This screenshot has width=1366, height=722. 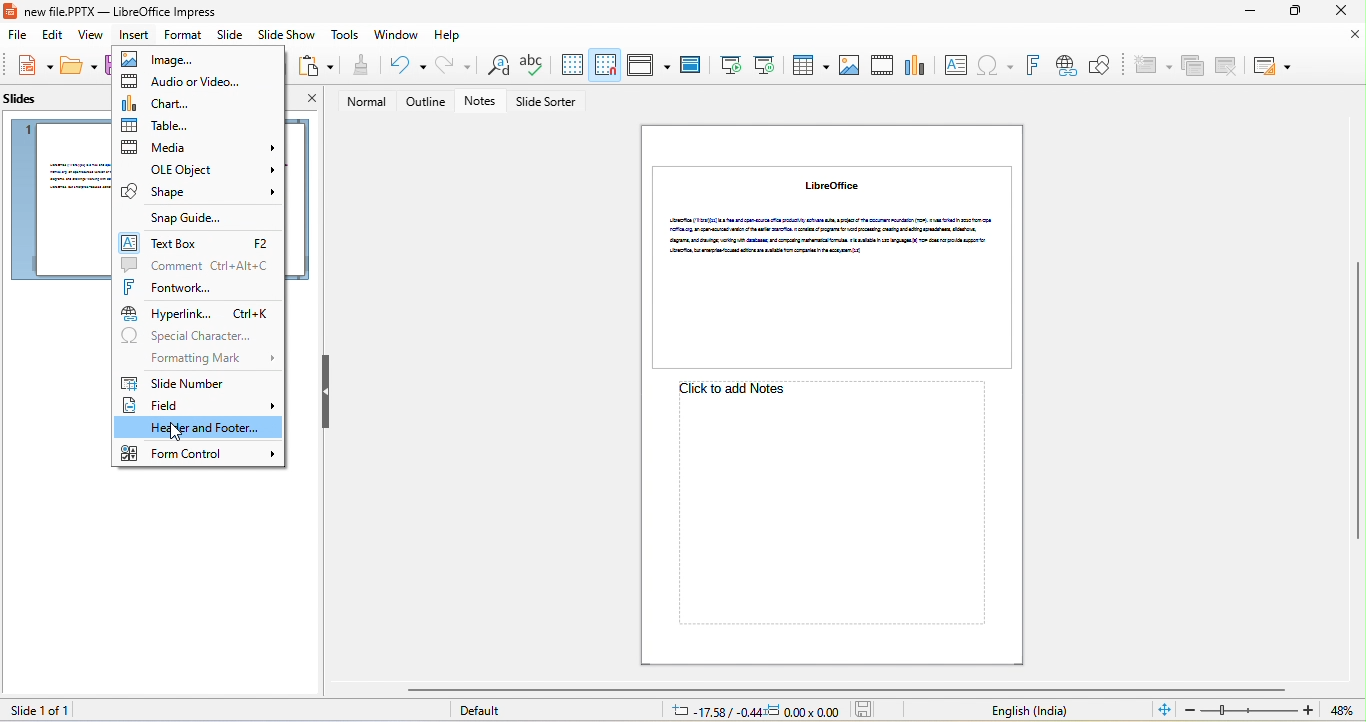 What do you see at coordinates (287, 37) in the screenshot?
I see `slide show` at bounding box center [287, 37].